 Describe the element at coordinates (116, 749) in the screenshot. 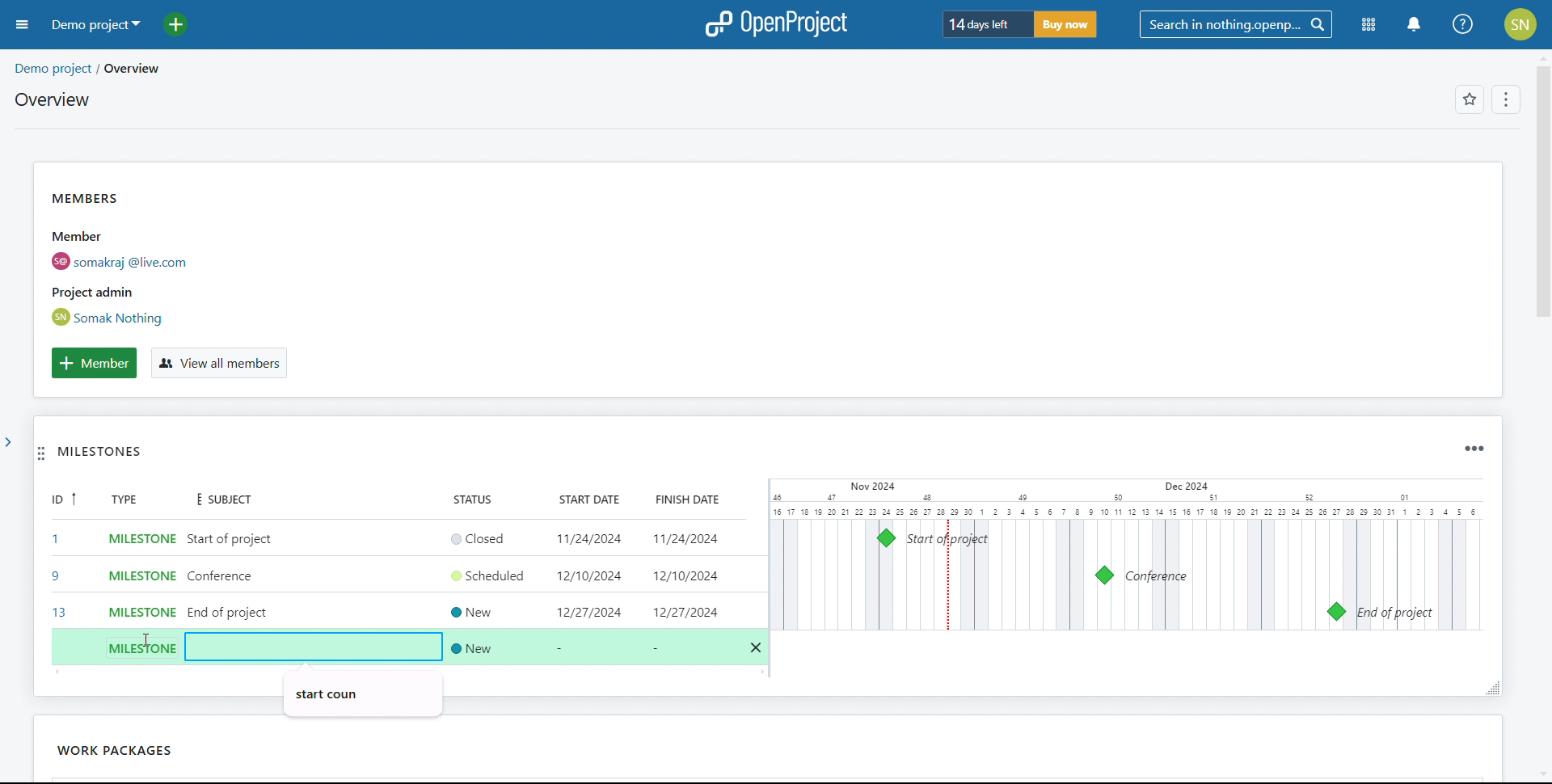

I see `work packages` at that location.